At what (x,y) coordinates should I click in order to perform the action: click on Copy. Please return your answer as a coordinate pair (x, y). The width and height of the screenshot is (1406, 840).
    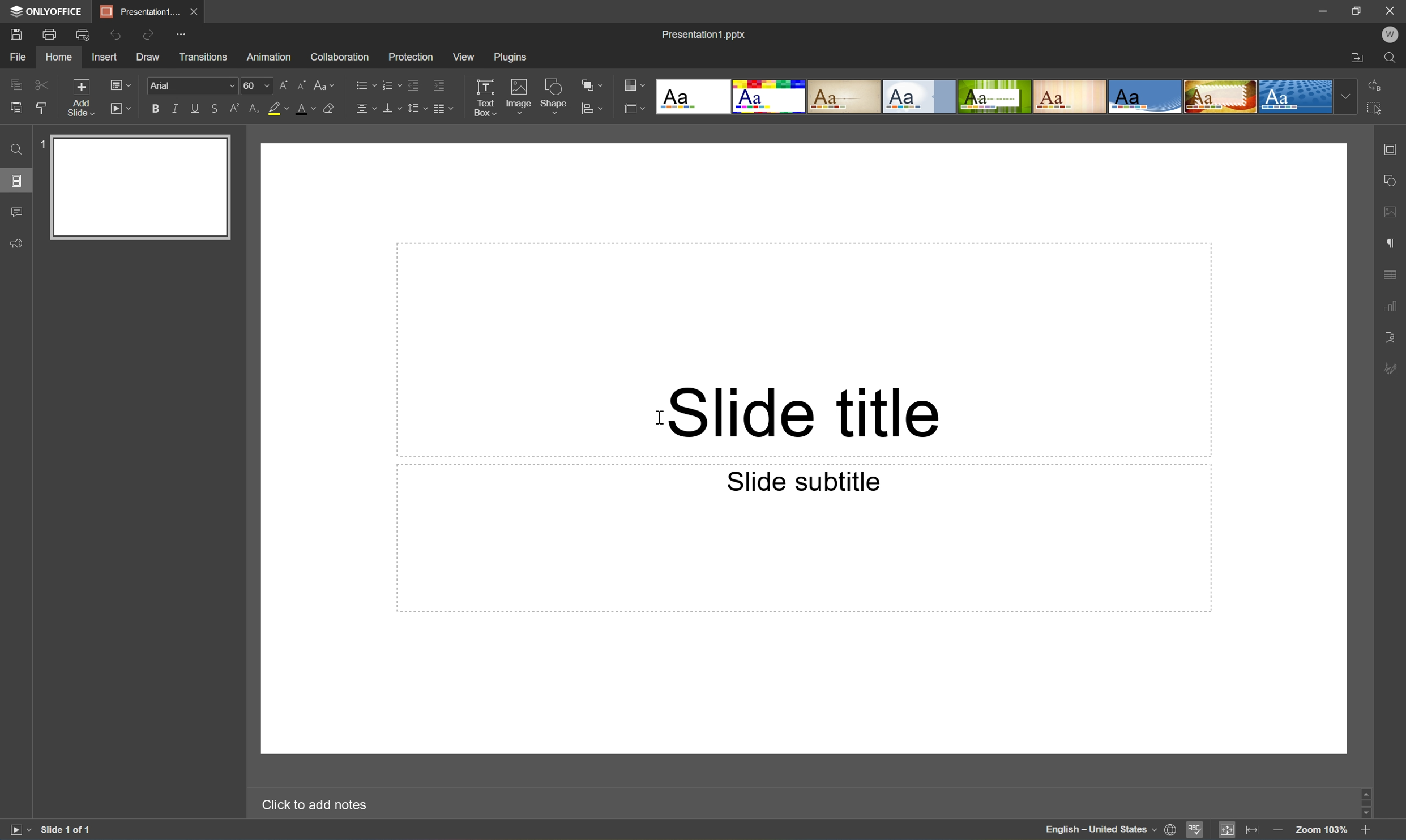
    Looking at the image, I should click on (13, 83).